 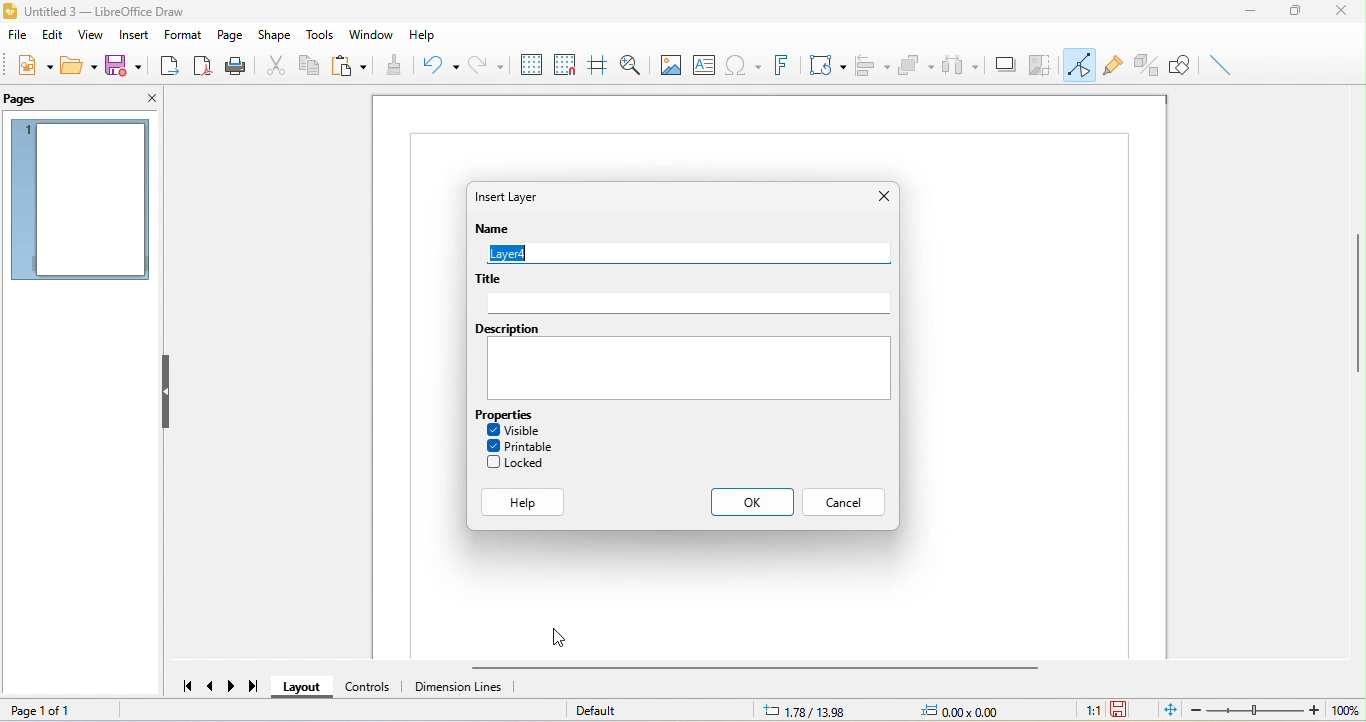 I want to click on save, so click(x=129, y=65).